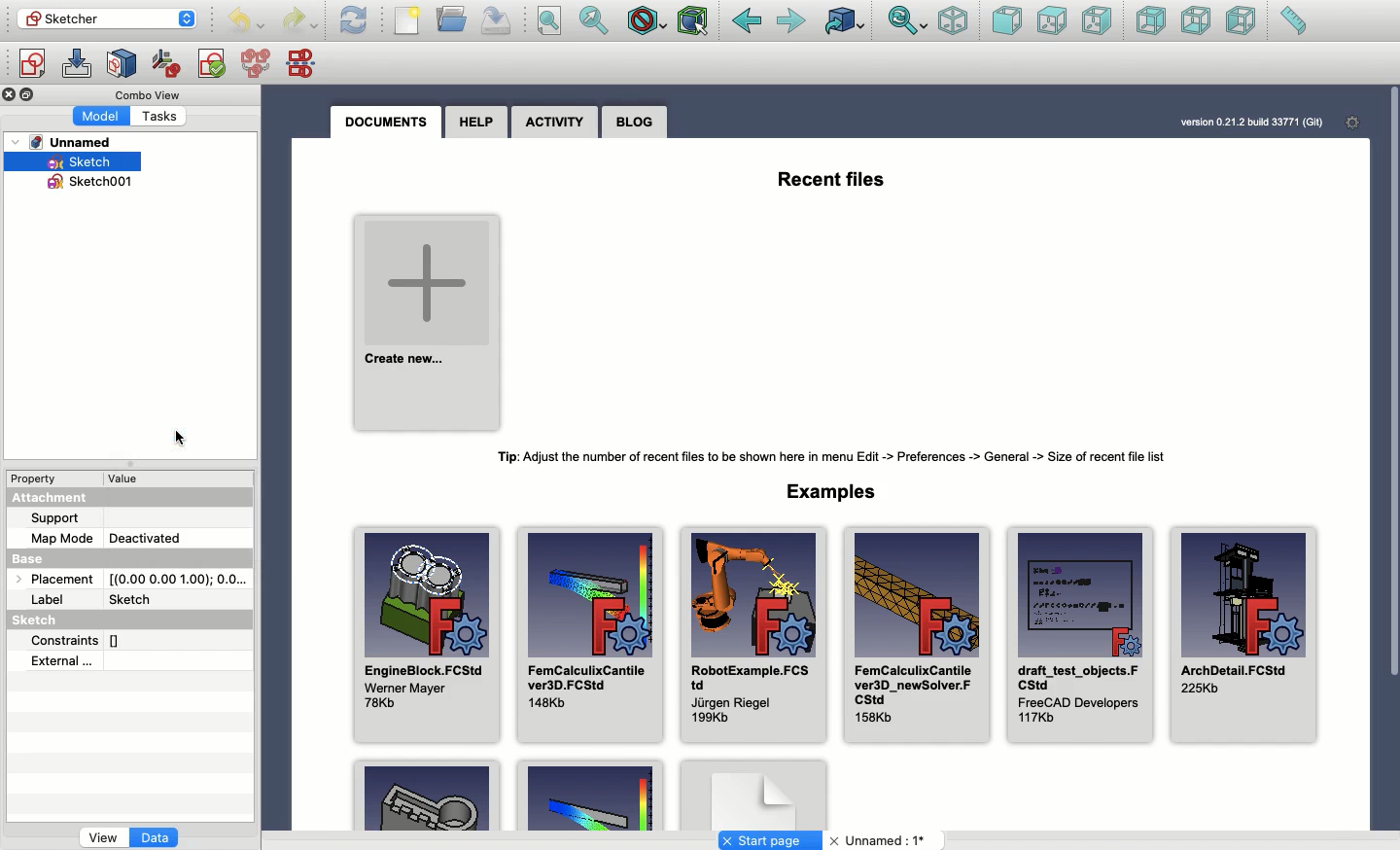 The width and height of the screenshot is (1400, 850). I want to click on FemCalculixCantile, so click(915, 633).